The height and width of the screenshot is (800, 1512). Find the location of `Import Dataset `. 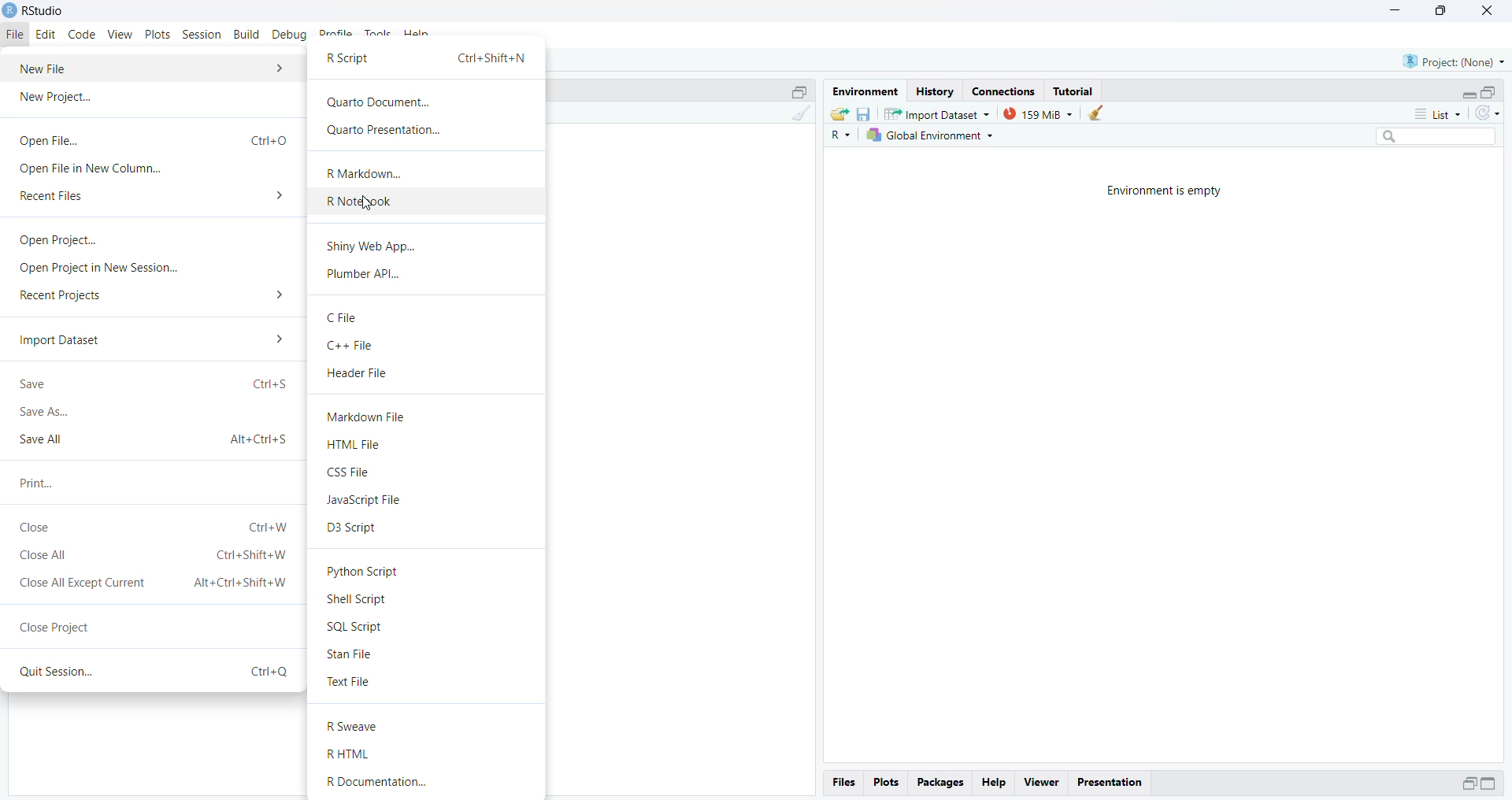

Import Dataset  is located at coordinates (150, 339).